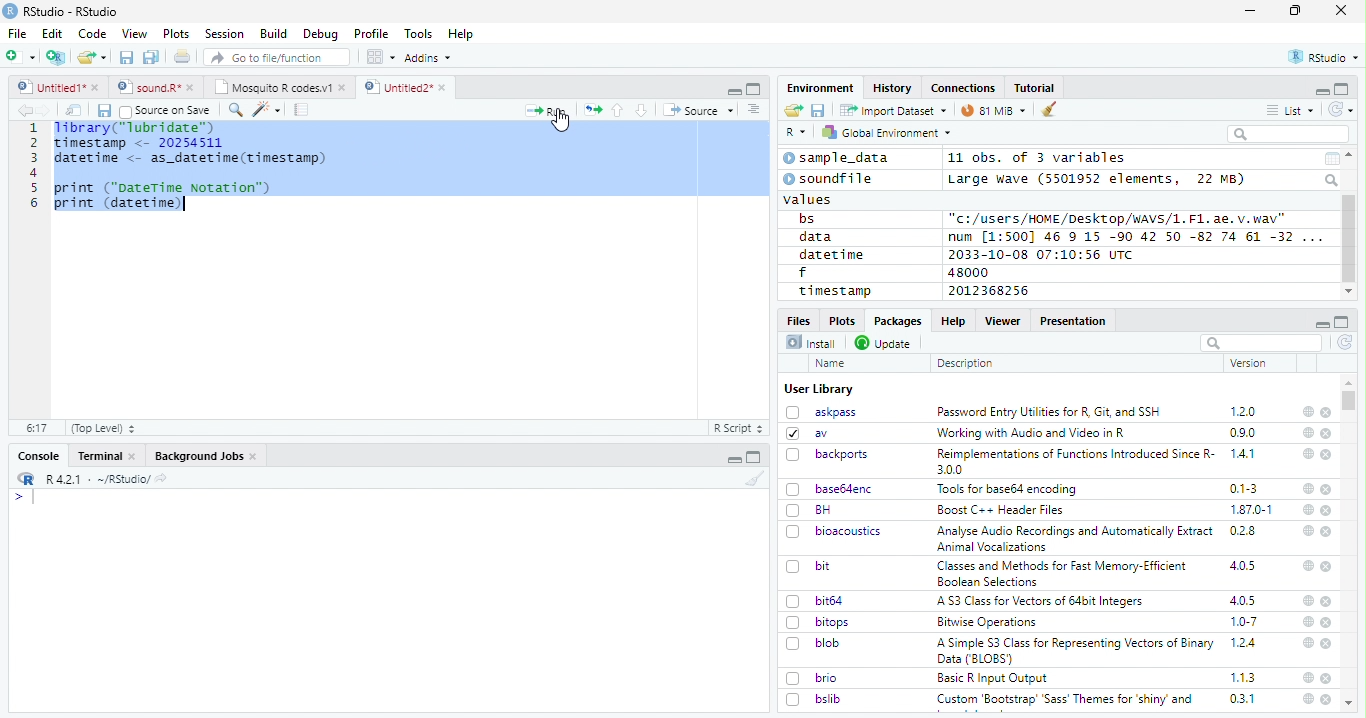 Image resolution: width=1366 pixels, height=718 pixels. What do you see at coordinates (76, 110) in the screenshot?
I see `Show in new window` at bounding box center [76, 110].